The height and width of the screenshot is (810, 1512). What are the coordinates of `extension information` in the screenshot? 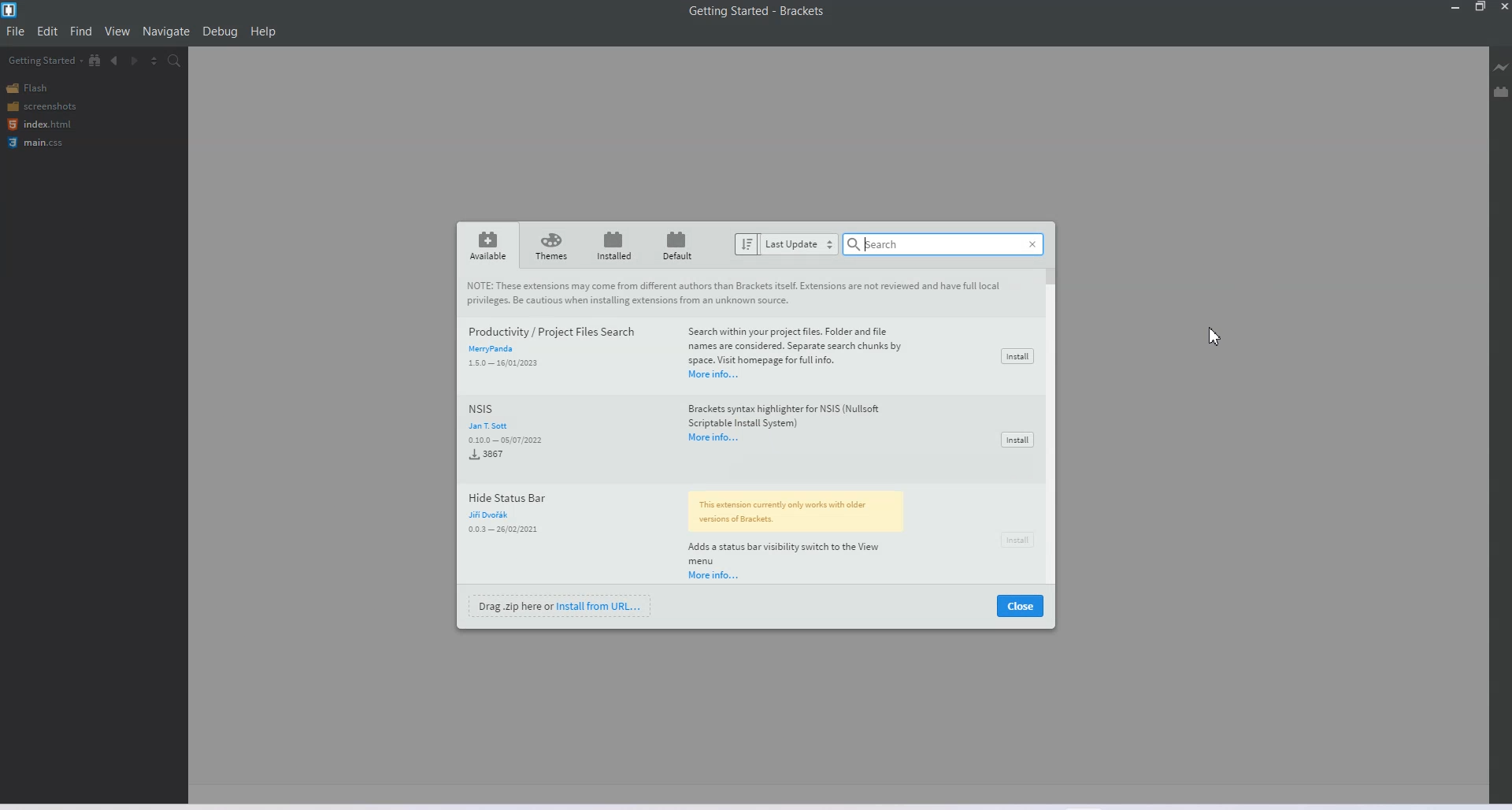 It's located at (802, 345).